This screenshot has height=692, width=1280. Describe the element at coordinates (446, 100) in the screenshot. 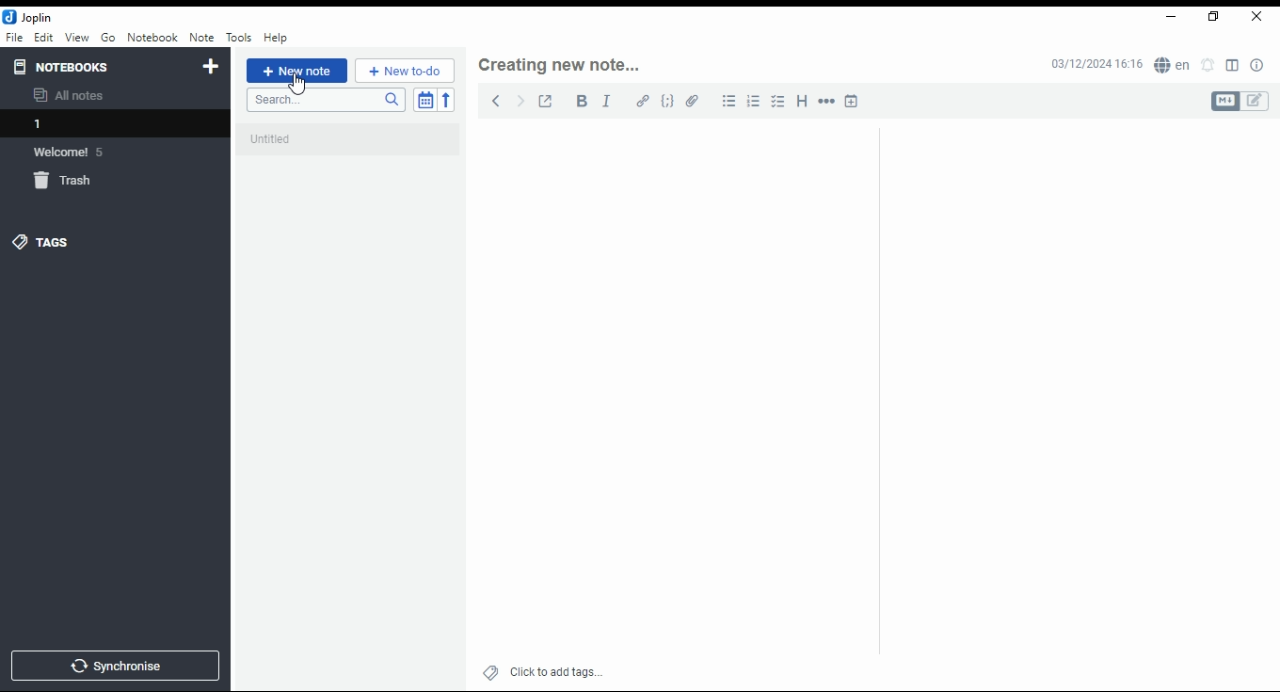

I see `reverse sort order` at that location.